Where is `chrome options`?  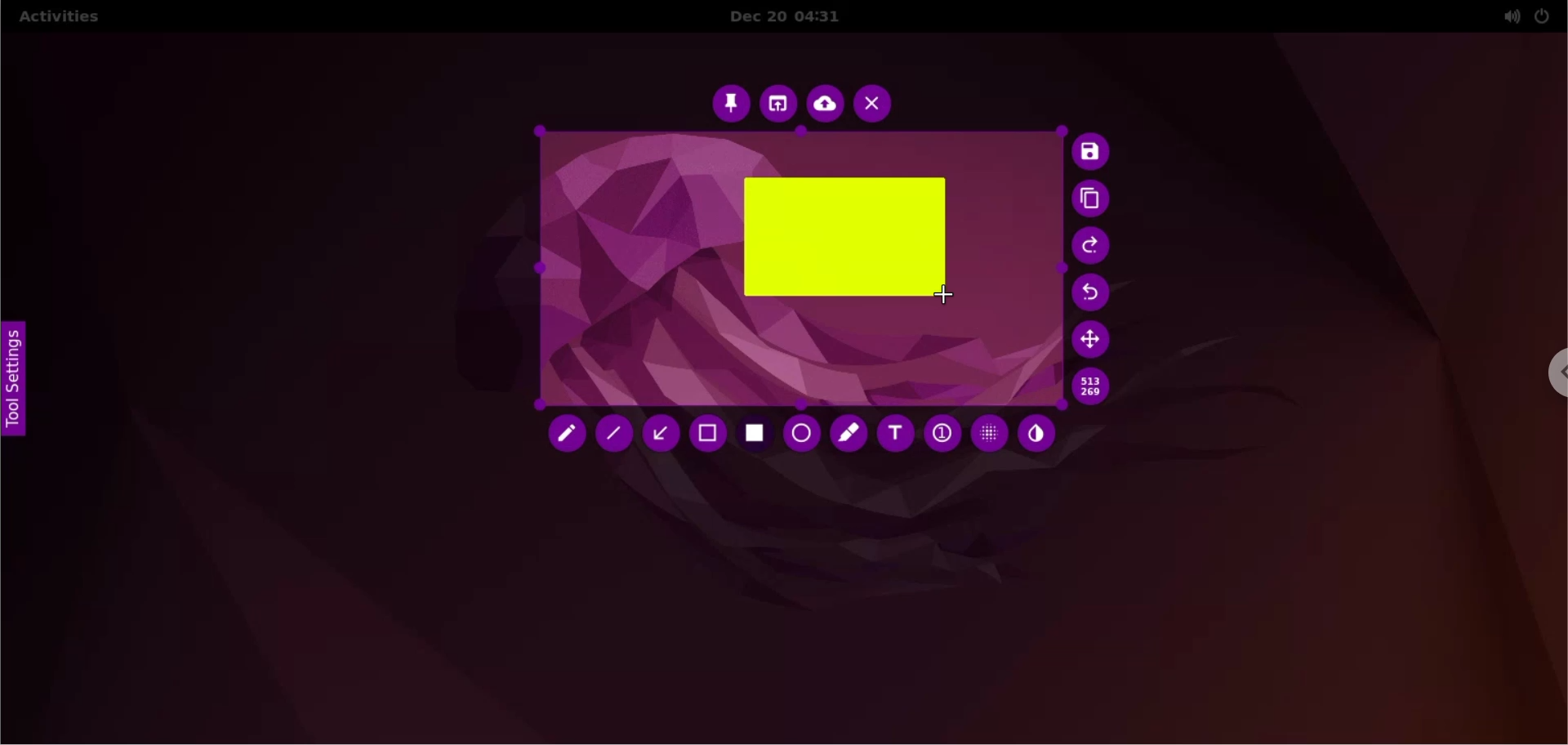
chrome options is located at coordinates (1555, 373).